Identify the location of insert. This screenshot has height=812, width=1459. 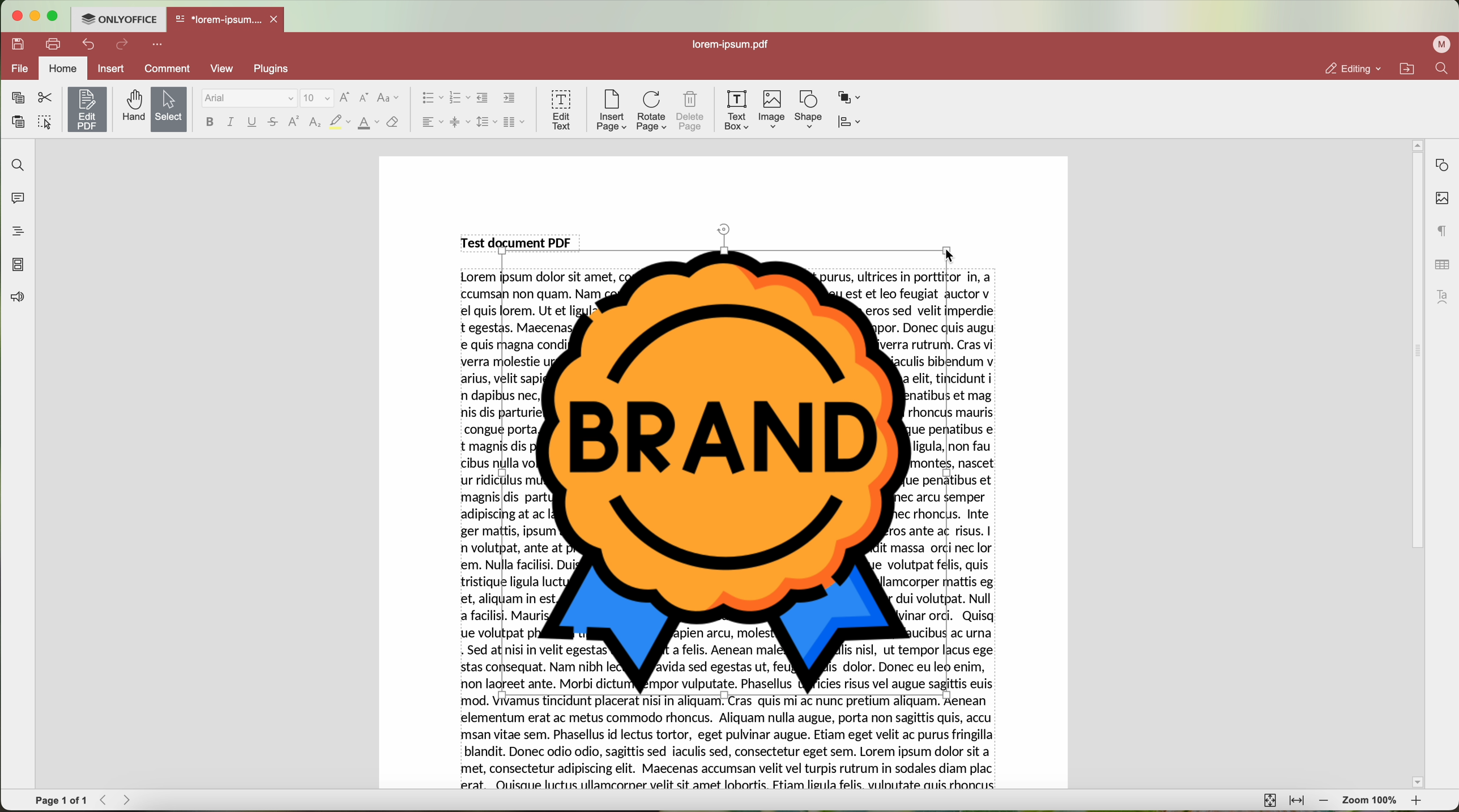
(110, 68).